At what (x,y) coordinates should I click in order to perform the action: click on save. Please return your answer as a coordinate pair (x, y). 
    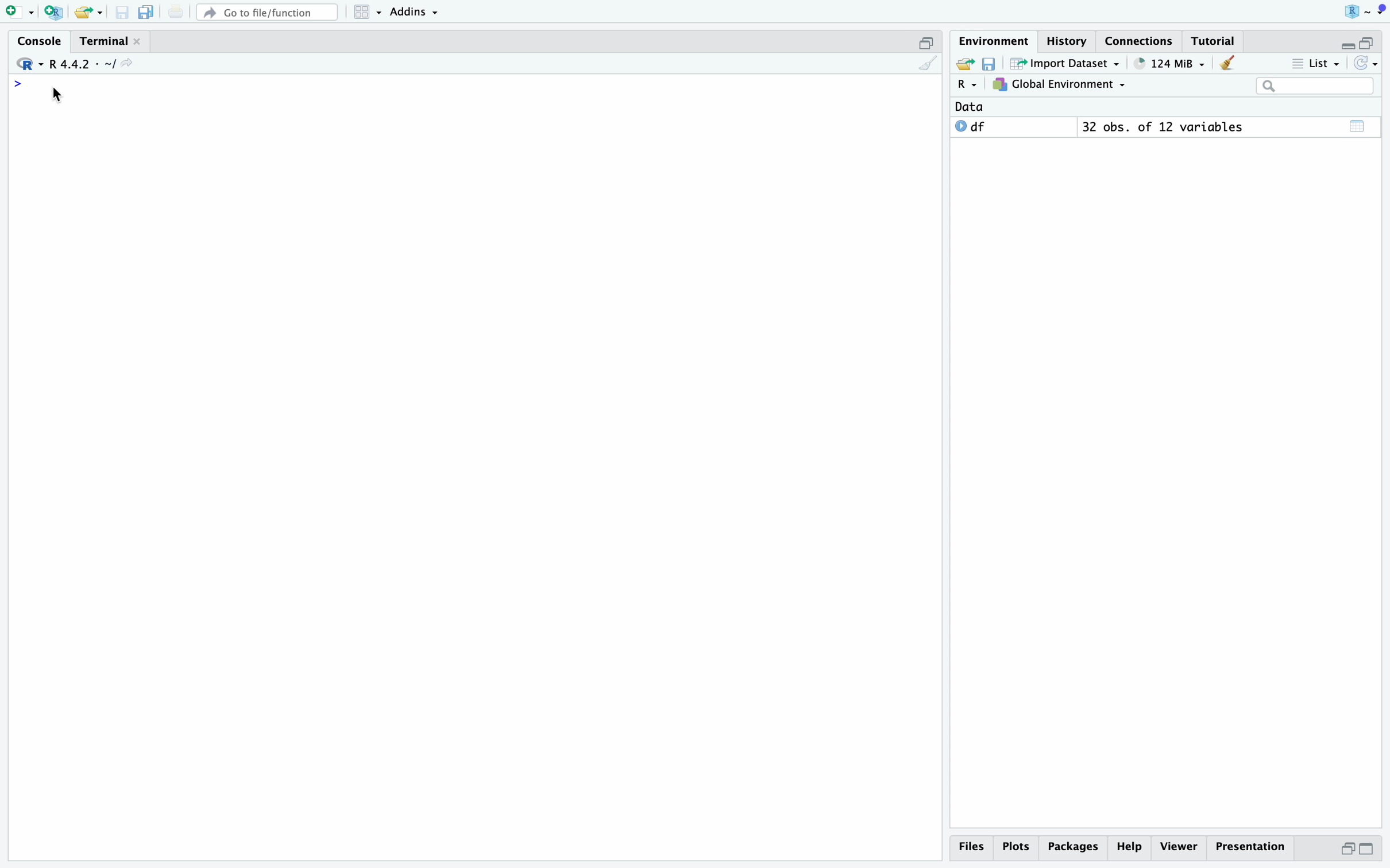
    Looking at the image, I should click on (991, 64).